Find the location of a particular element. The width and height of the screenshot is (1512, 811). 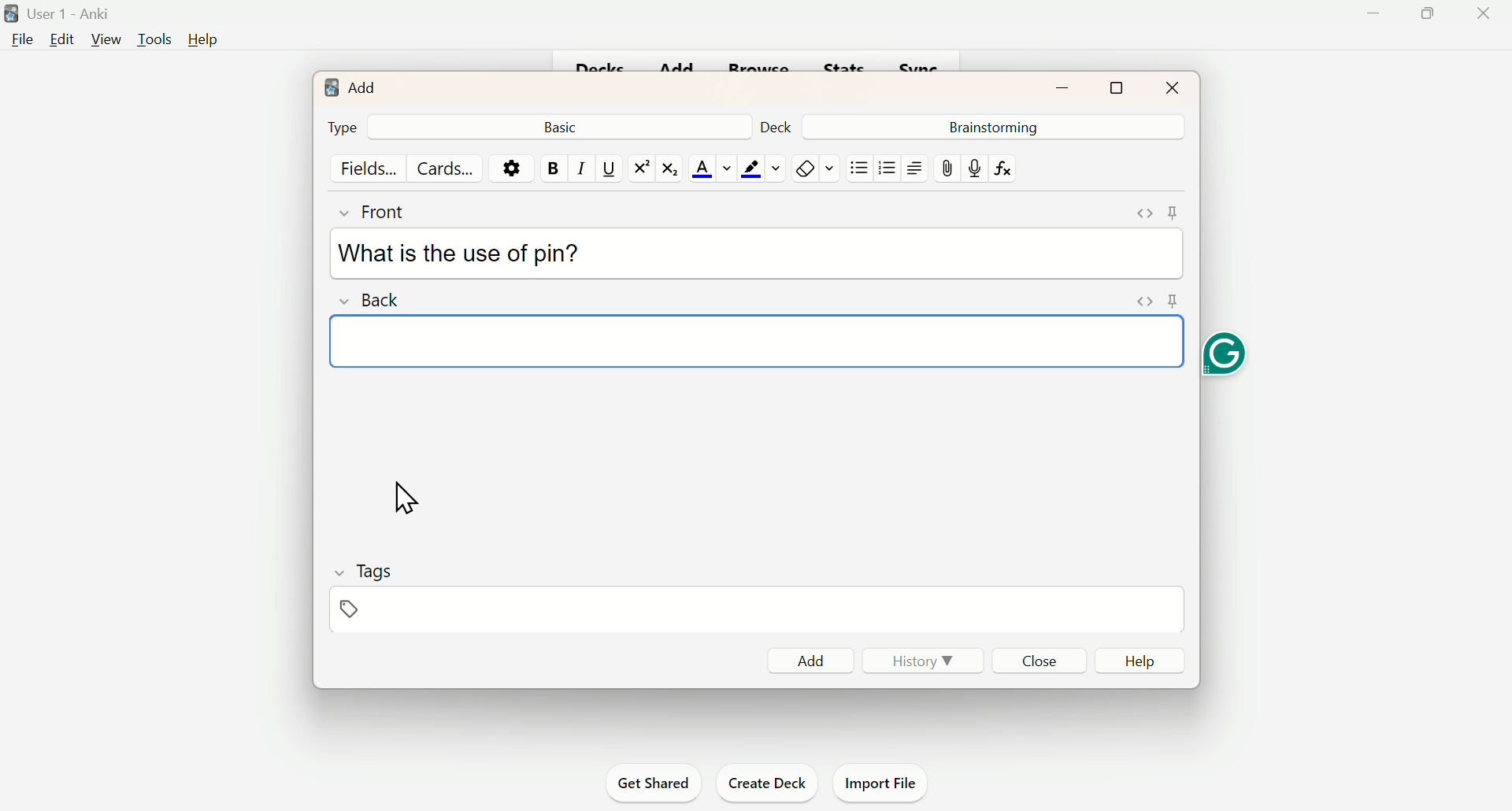

Add is located at coordinates (811, 660).